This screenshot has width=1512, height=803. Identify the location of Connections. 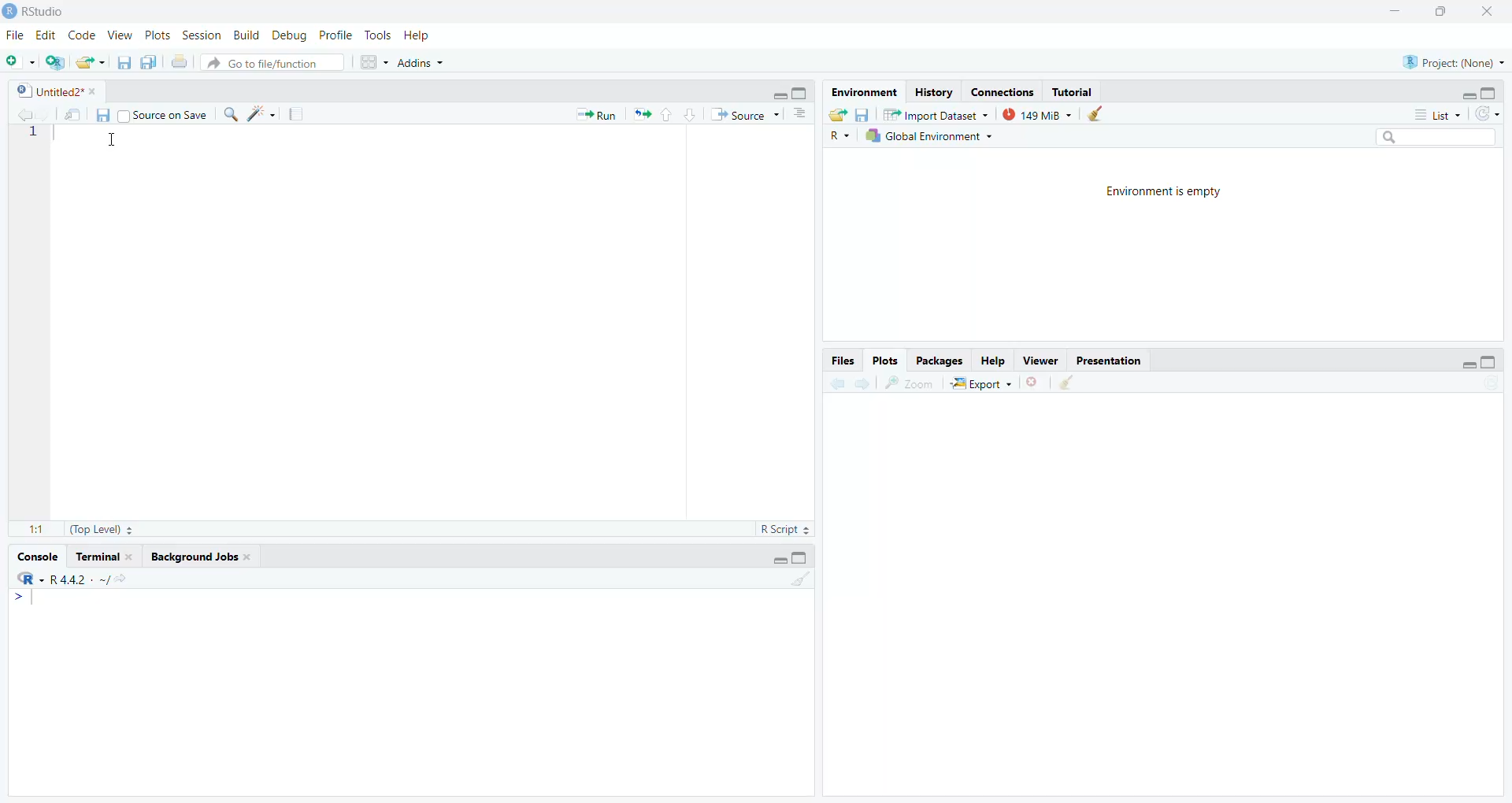
(1002, 92).